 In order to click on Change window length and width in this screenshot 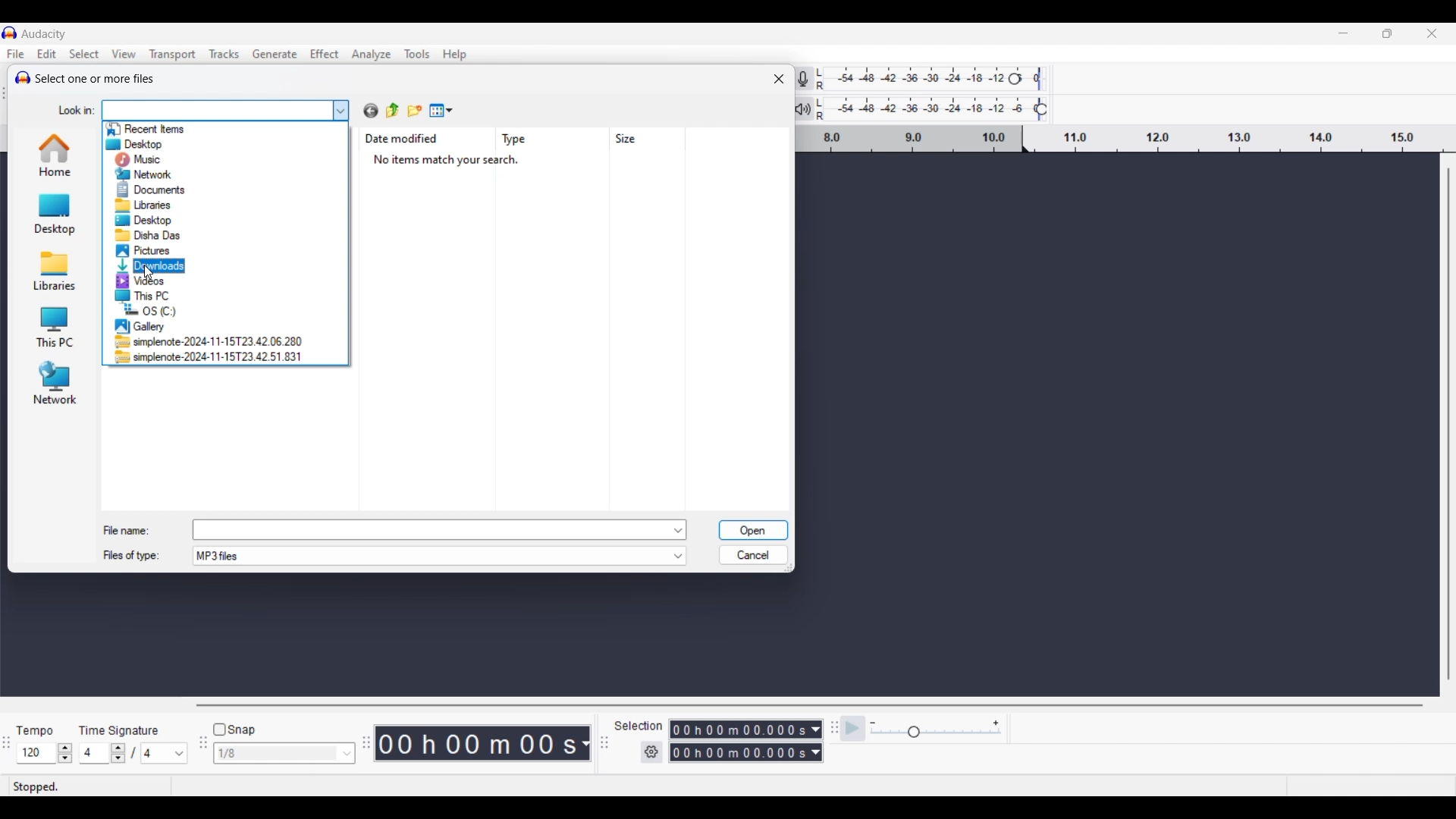, I will do `click(792, 571)`.